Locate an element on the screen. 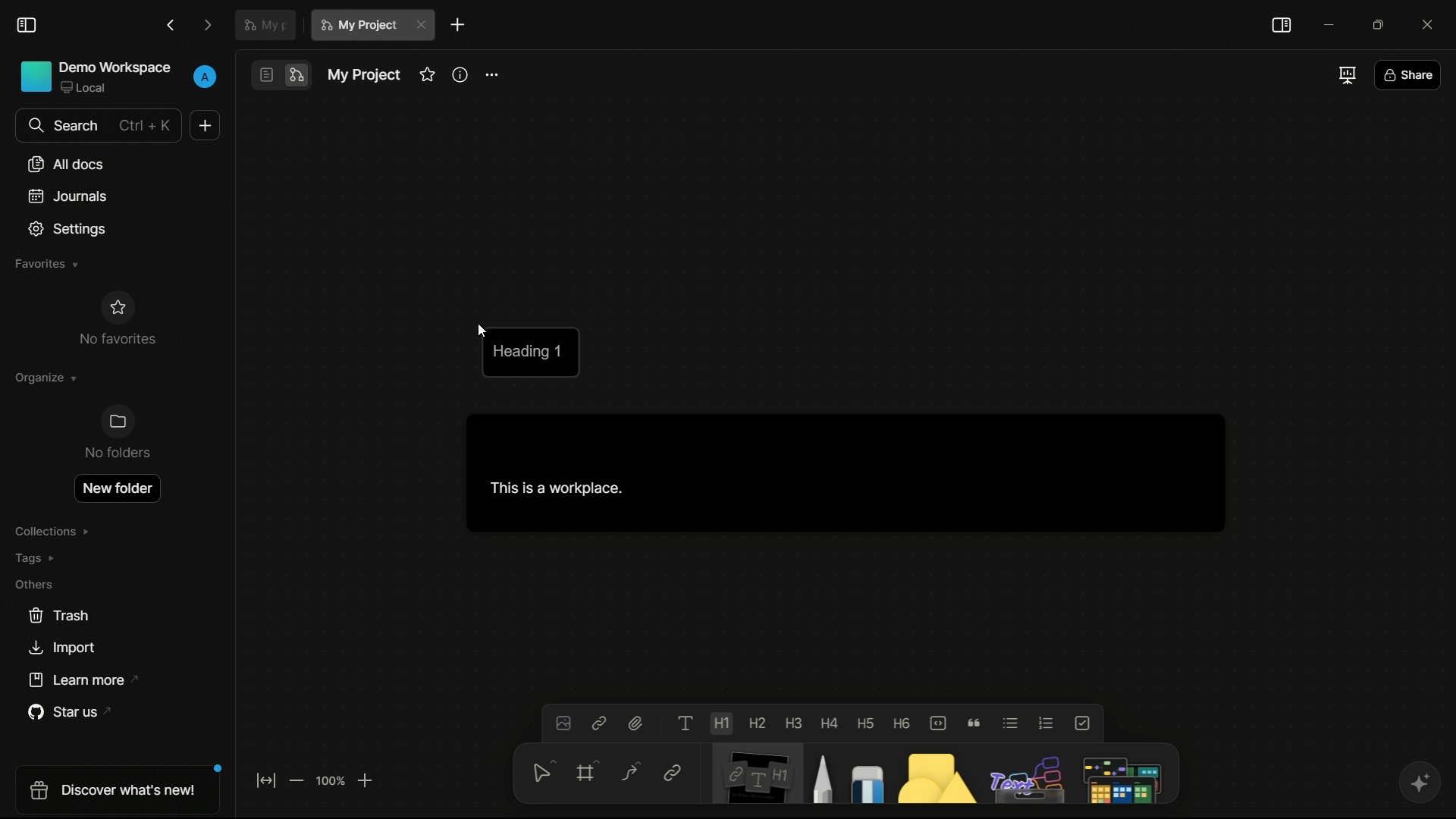  fit to screen is located at coordinates (266, 780).